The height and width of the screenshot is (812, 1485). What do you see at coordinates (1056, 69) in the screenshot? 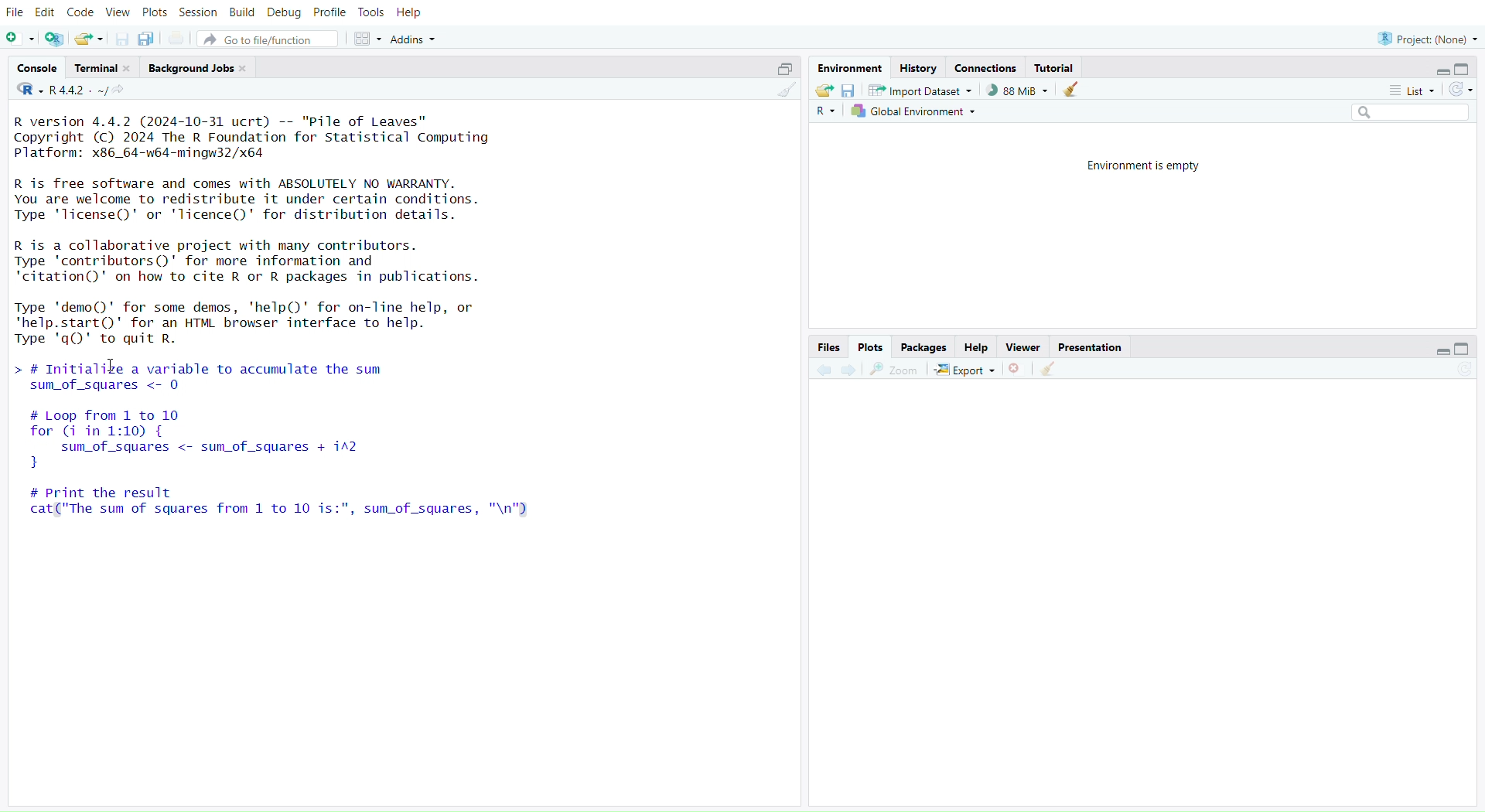
I see `tutorial` at bounding box center [1056, 69].